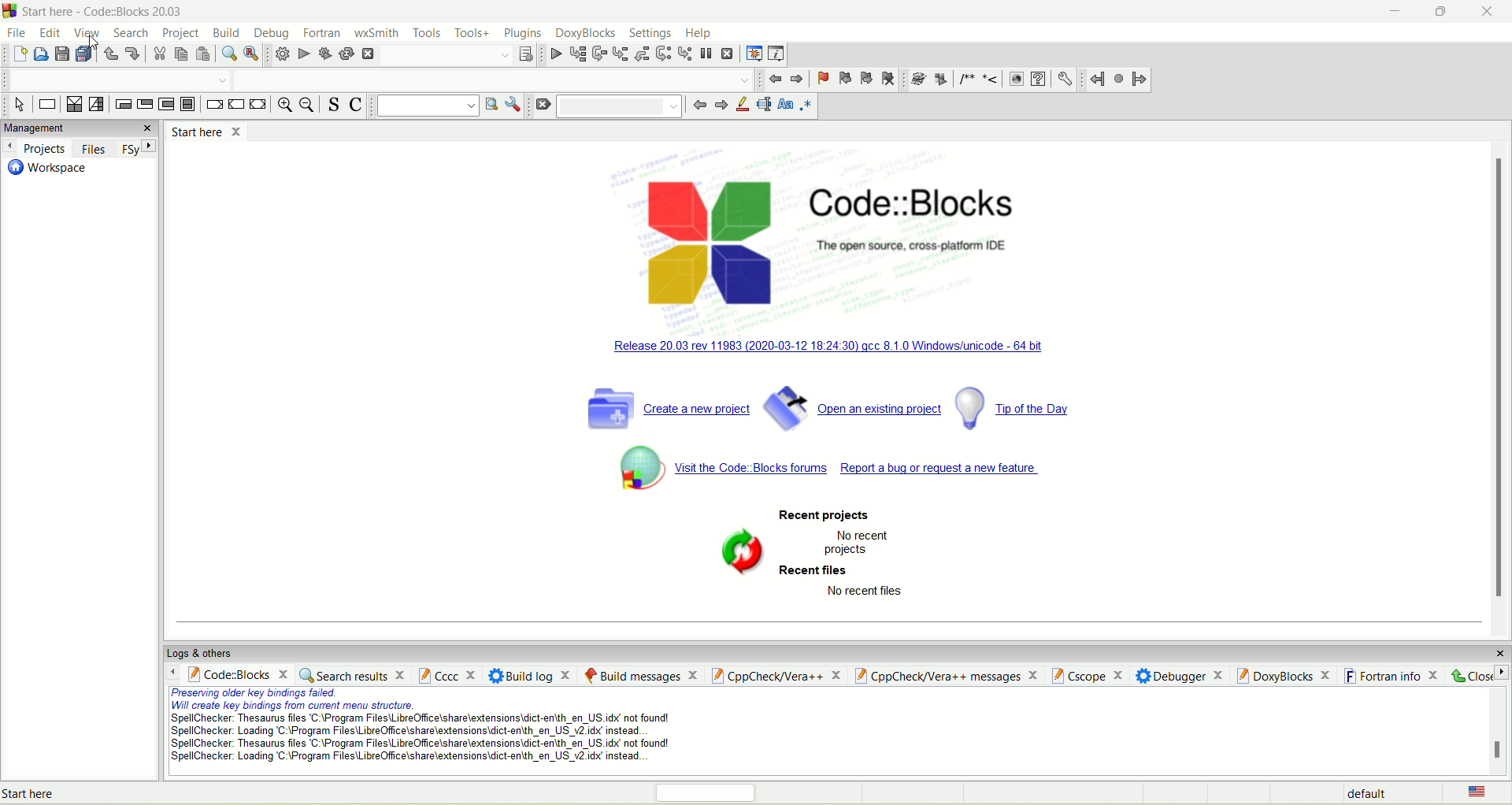 This screenshot has width=1512, height=805. Describe the element at coordinates (36, 149) in the screenshot. I see `projects` at that location.